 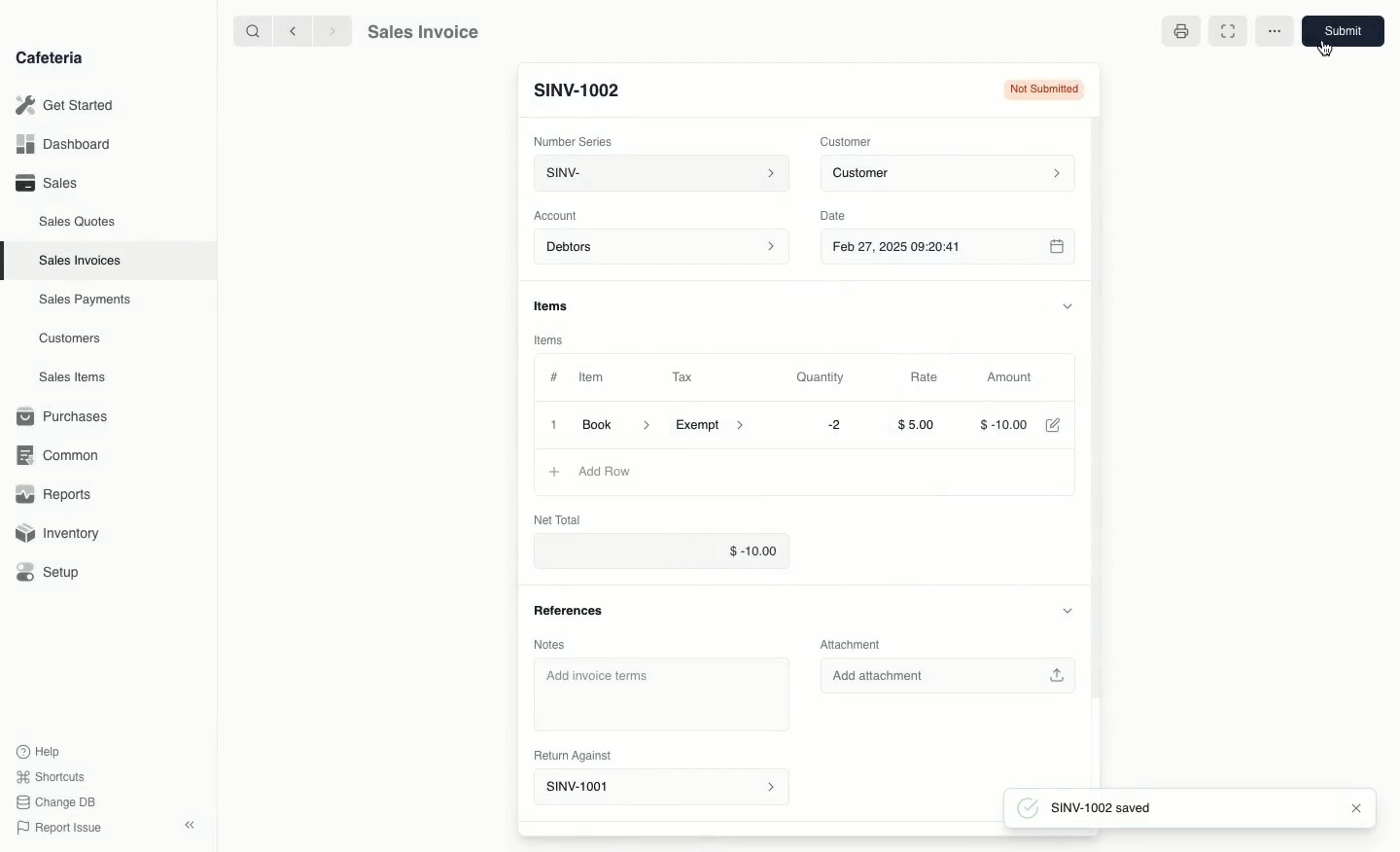 I want to click on Submit, so click(x=1342, y=31).